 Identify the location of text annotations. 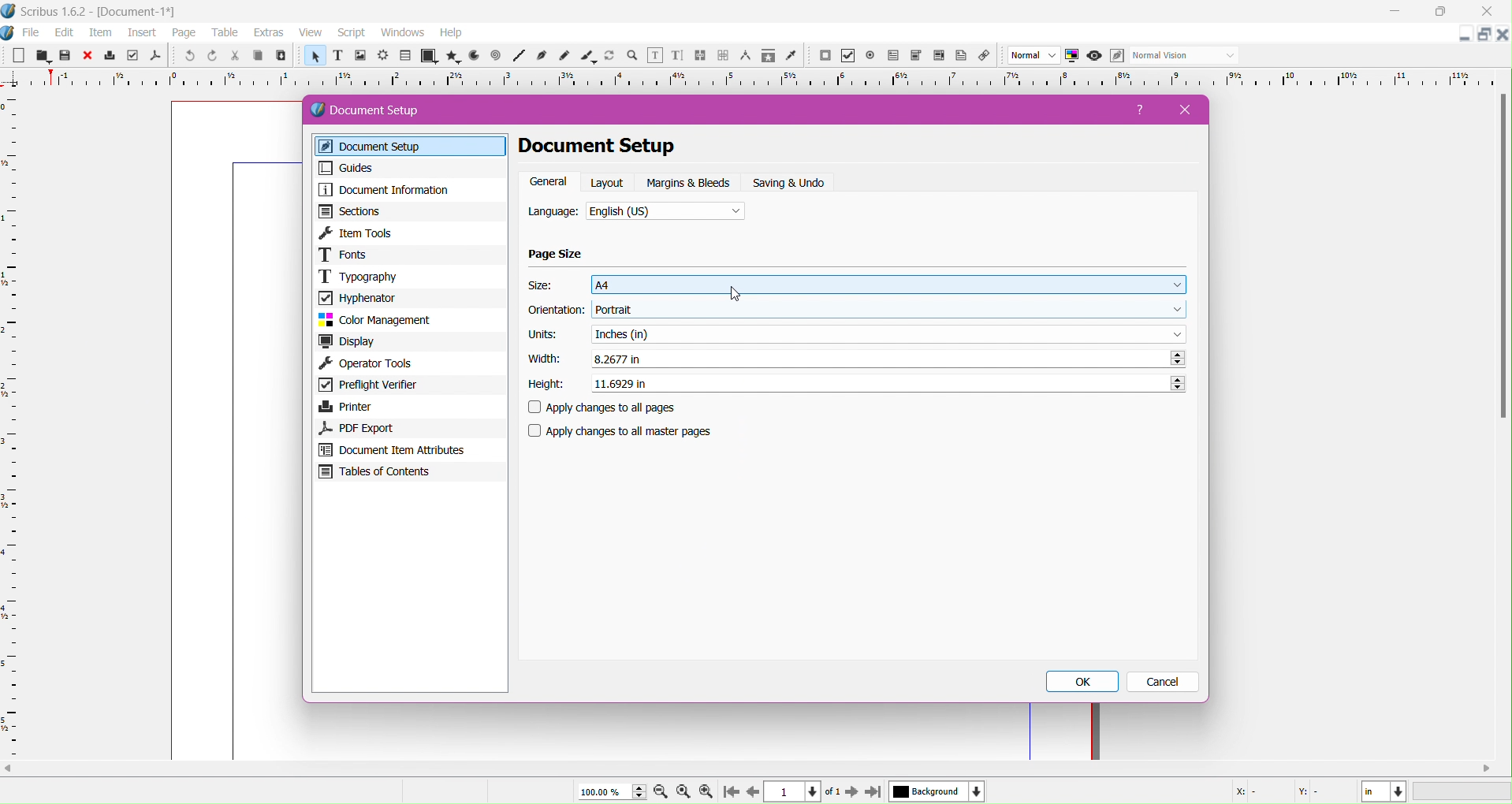
(964, 56).